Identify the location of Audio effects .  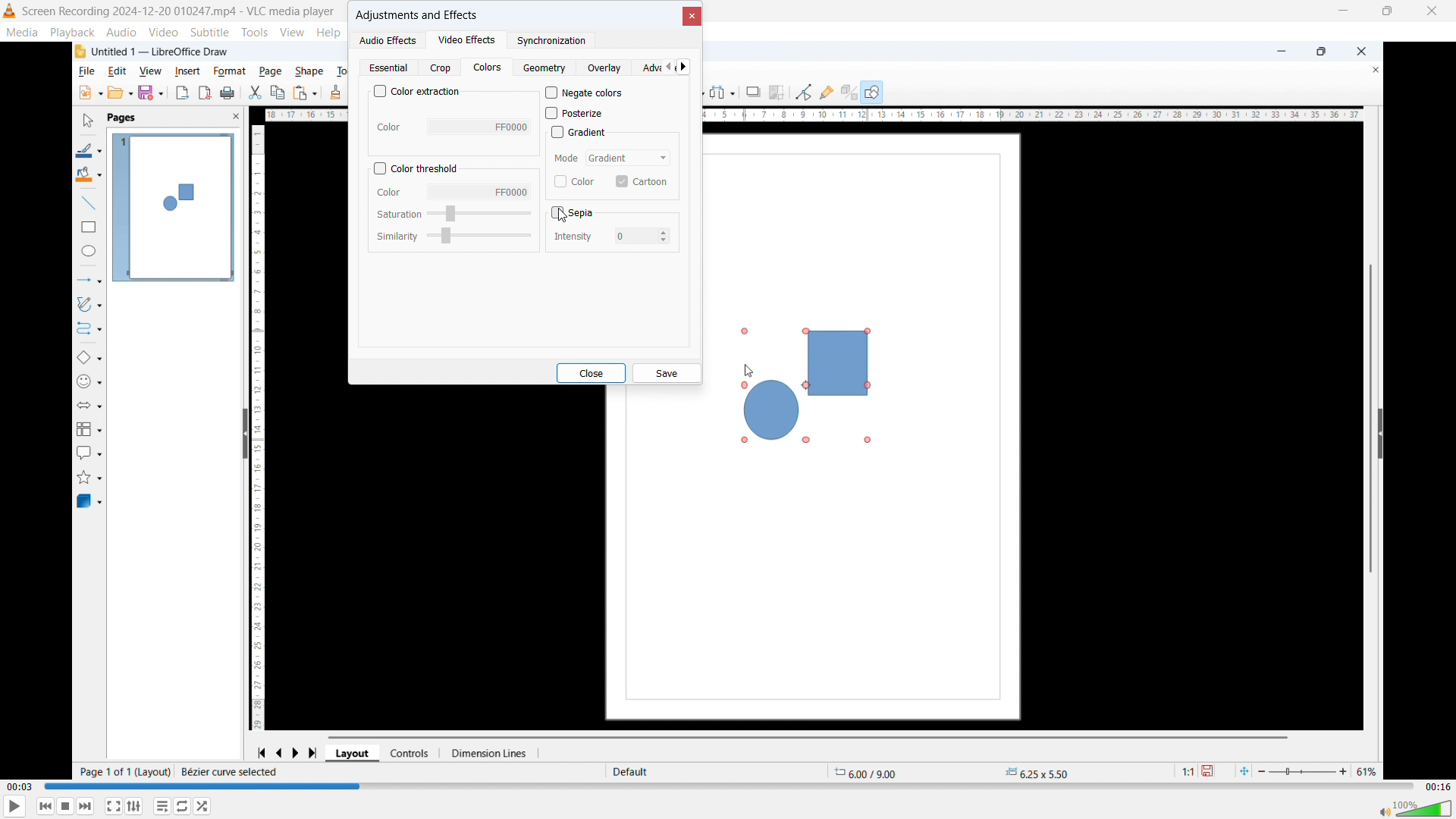
(388, 40).